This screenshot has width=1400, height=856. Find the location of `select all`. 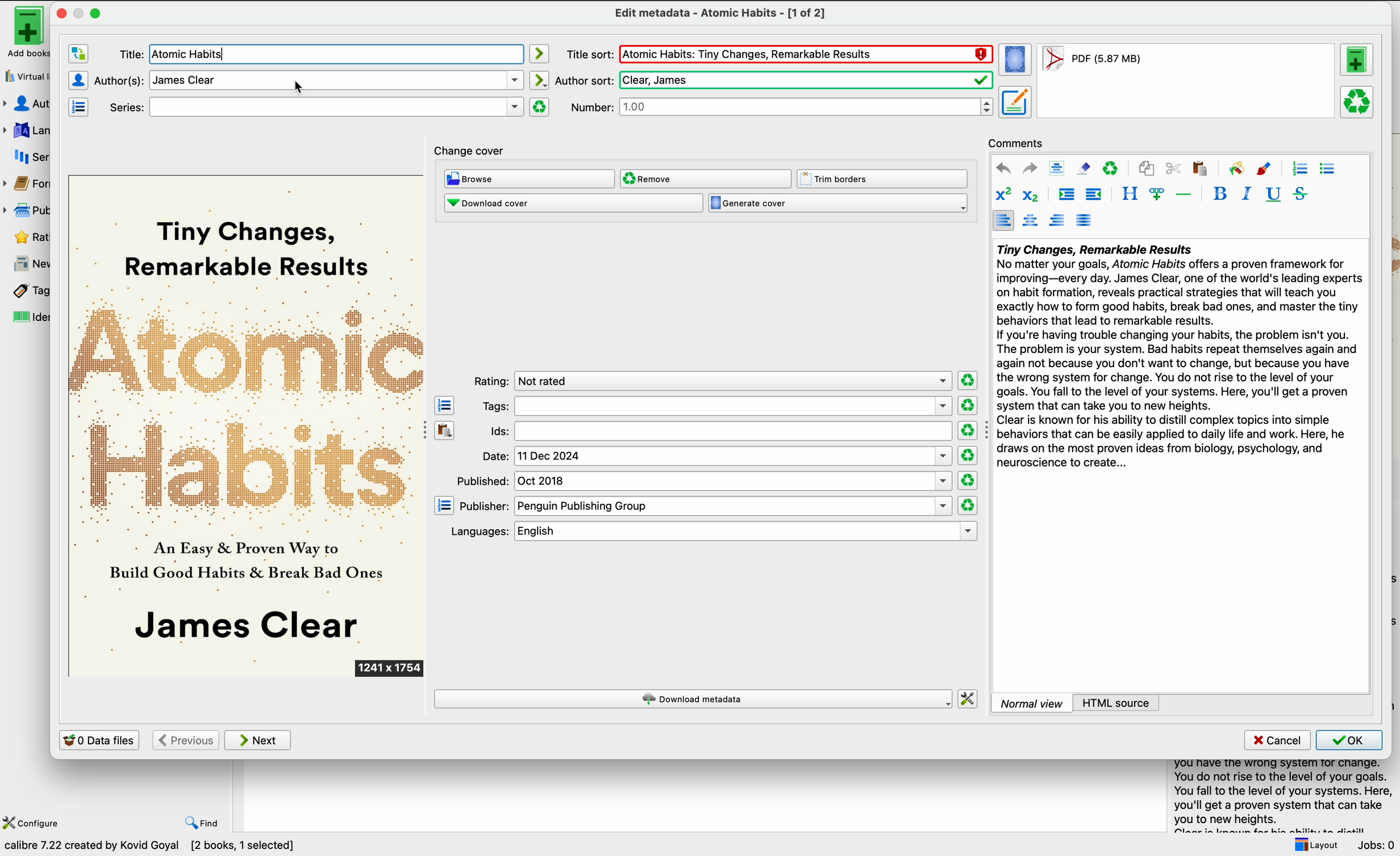

select all is located at coordinates (1057, 168).